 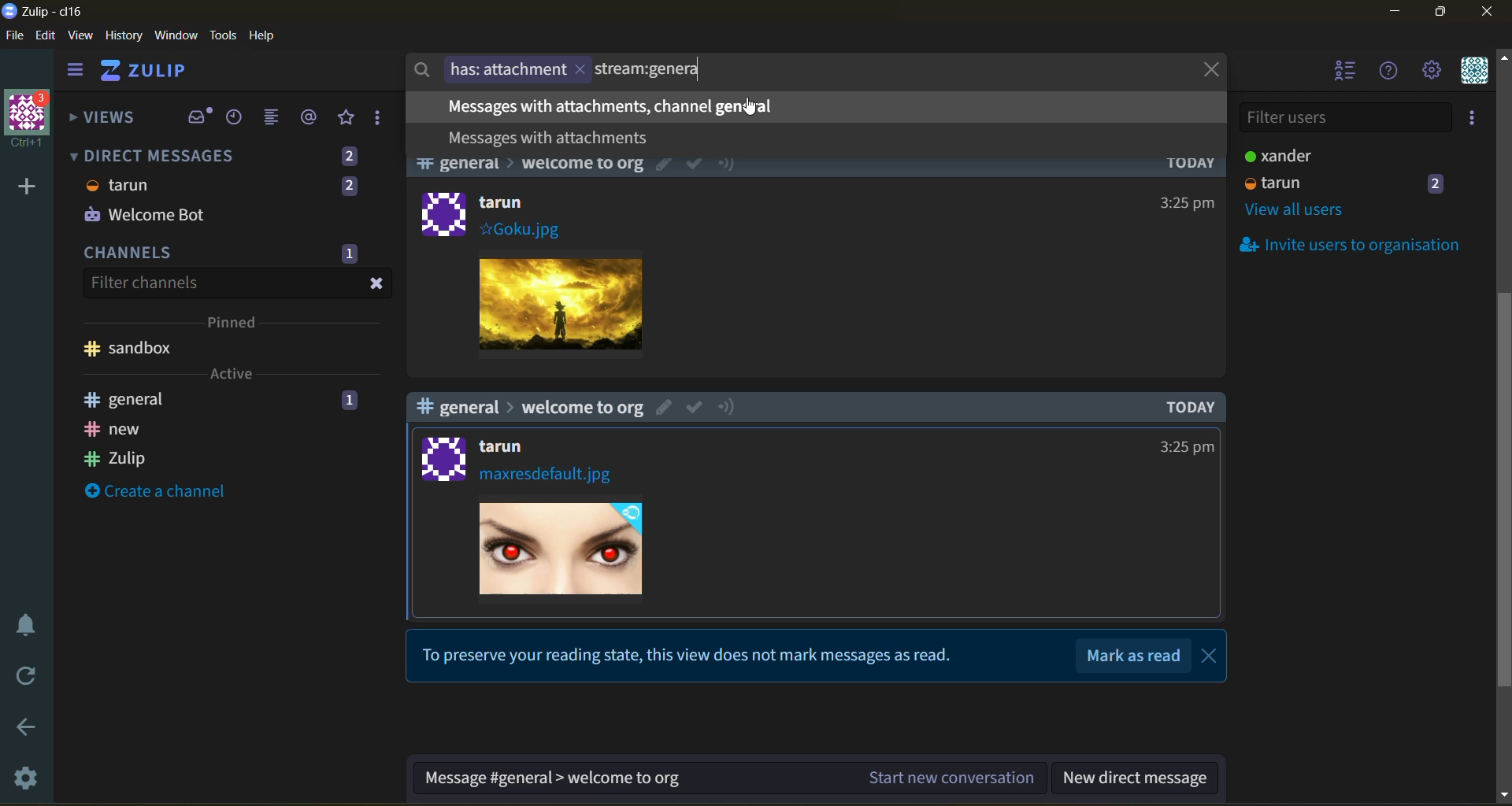 I want to click on # general > welcome to org, so click(x=532, y=162).